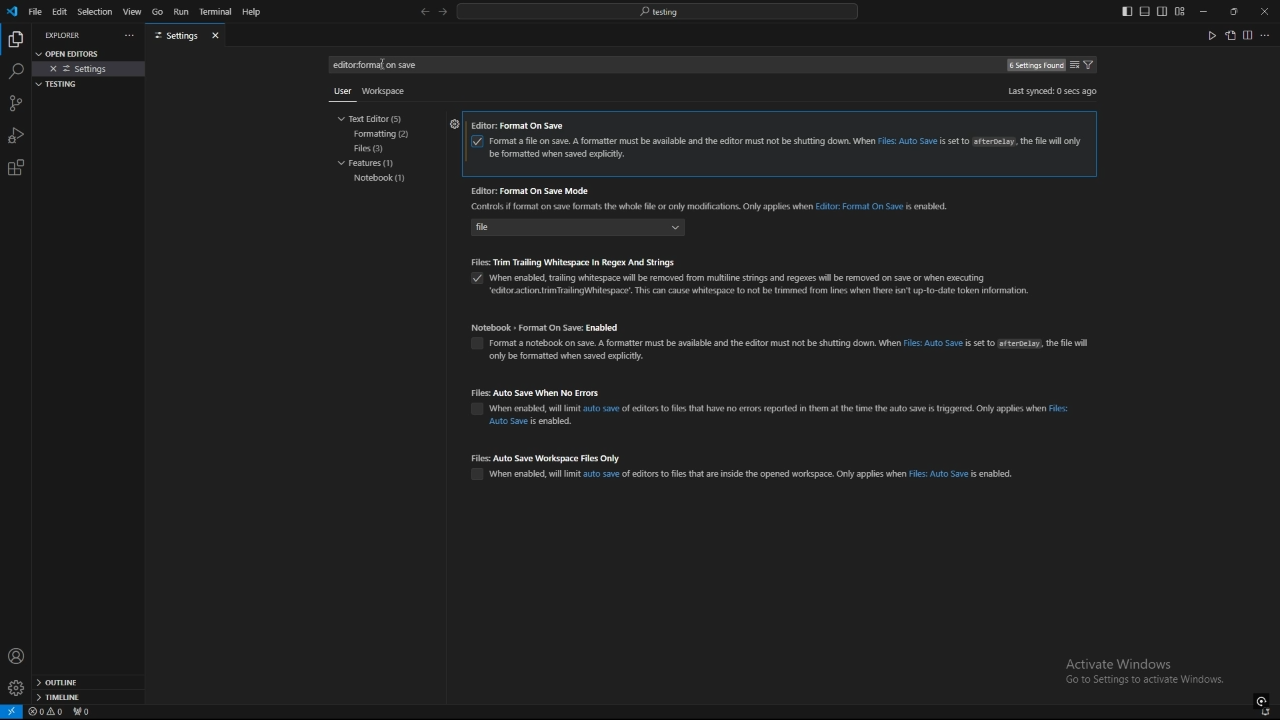  Describe the element at coordinates (384, 134) in the screenshot. I see `formatting` at that location.